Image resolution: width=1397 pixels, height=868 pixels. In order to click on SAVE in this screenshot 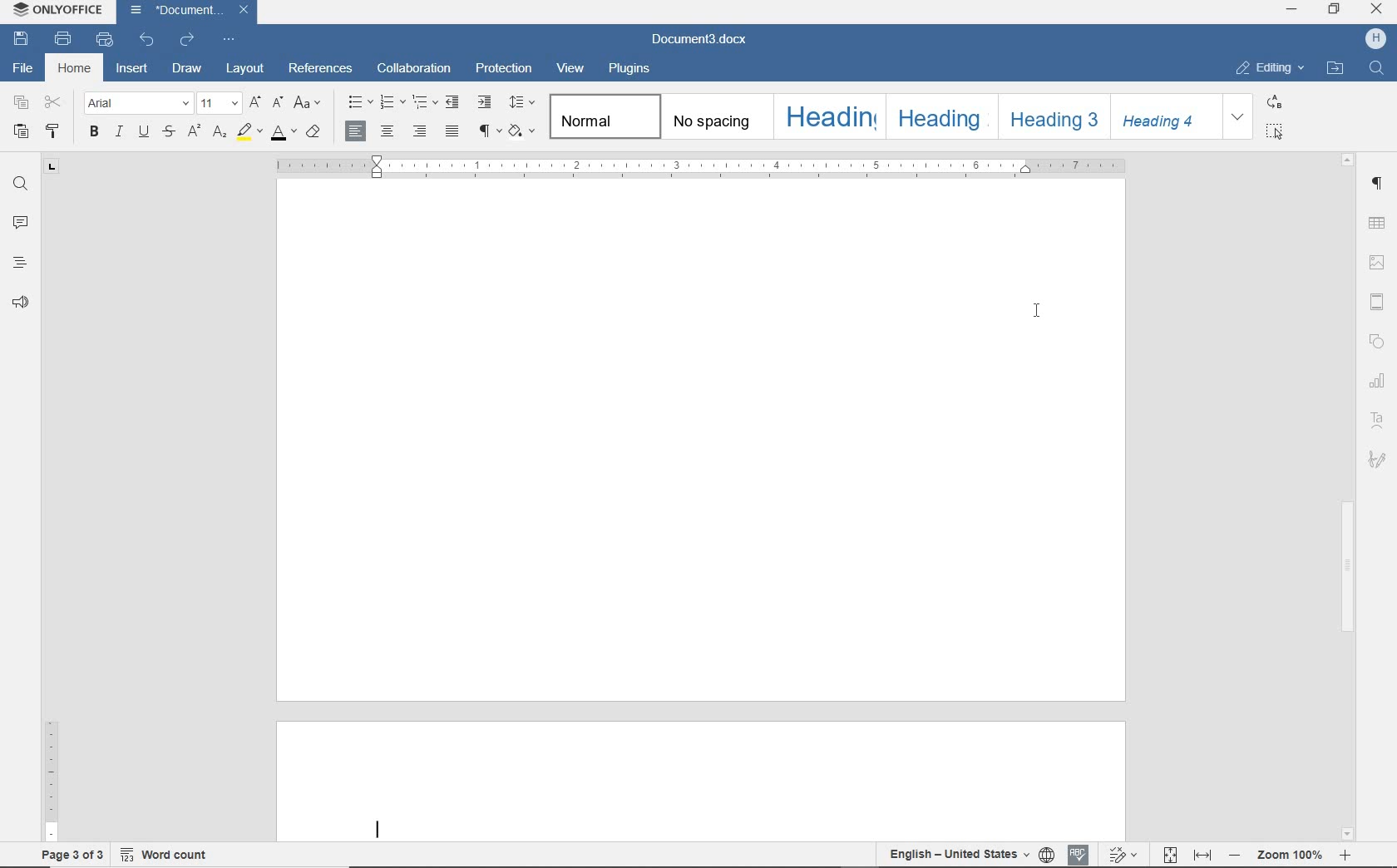, I will do `click(23, 38)`.